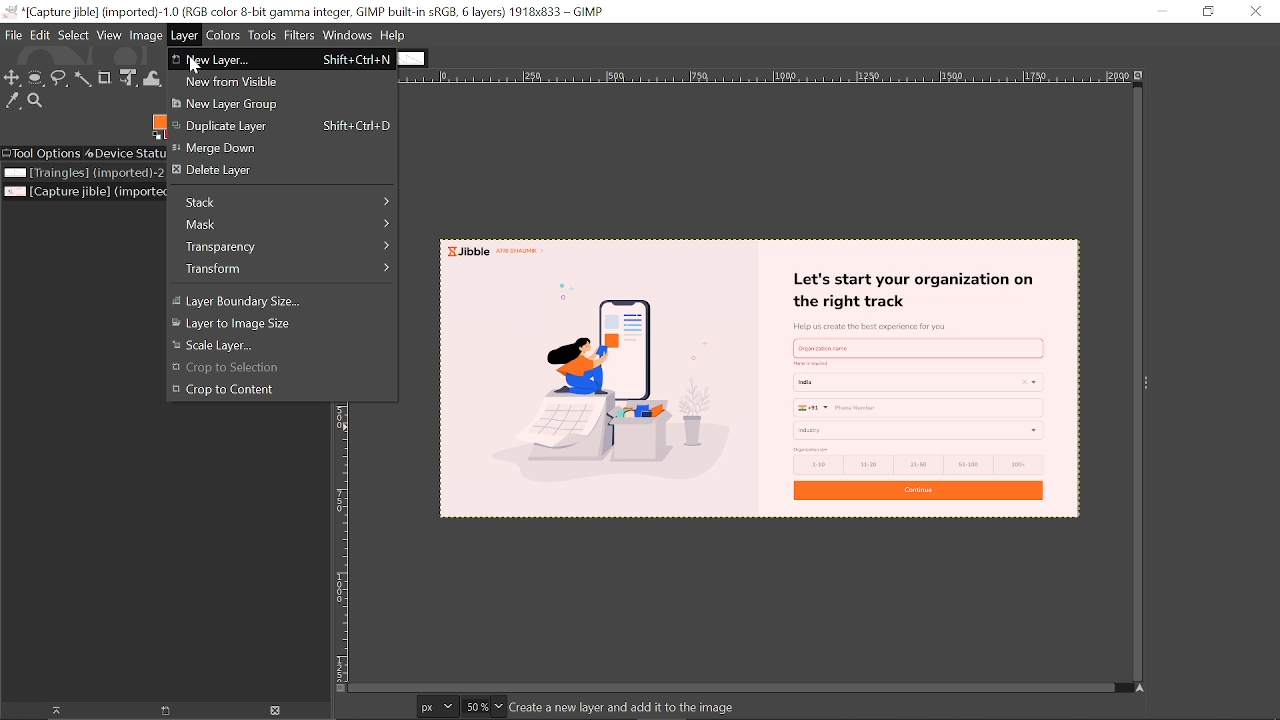  What do you see at coordinates (86, 193) in the screenshot?
I see `Current image file` at bounding box center [86, 193].